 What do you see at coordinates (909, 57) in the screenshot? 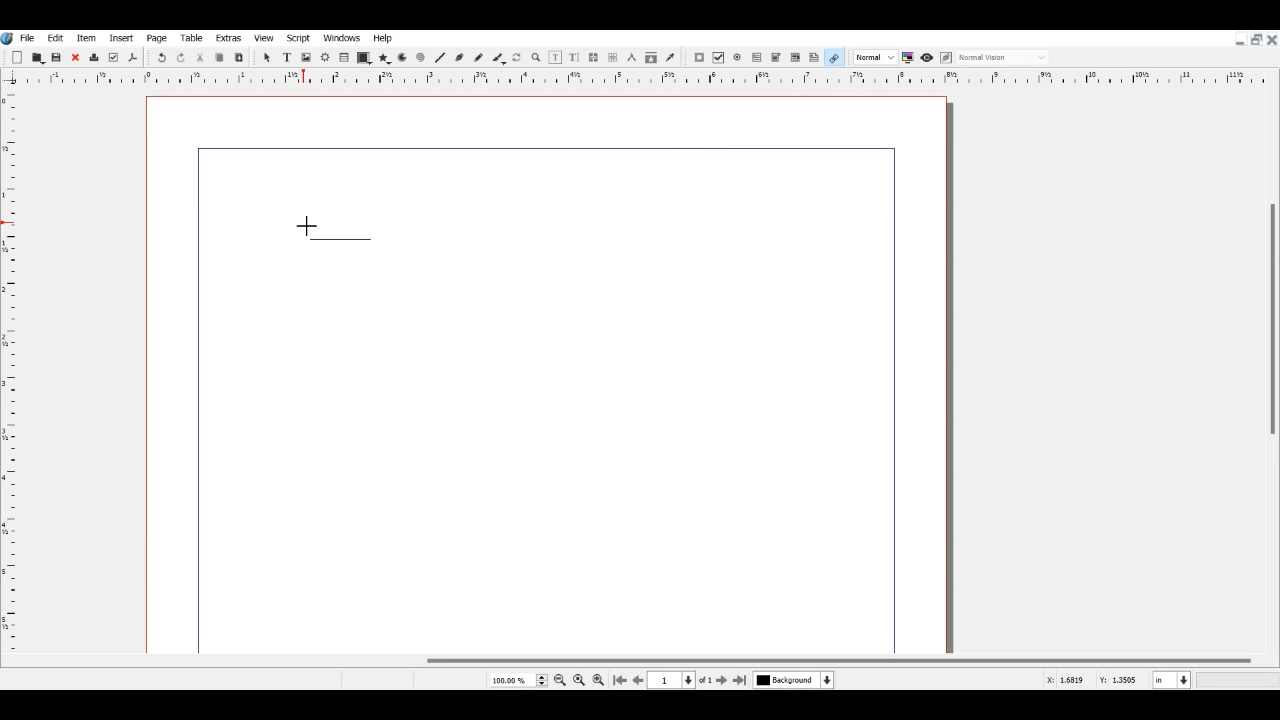
I see `Toggle color management system` at bounding box center [909, 57].